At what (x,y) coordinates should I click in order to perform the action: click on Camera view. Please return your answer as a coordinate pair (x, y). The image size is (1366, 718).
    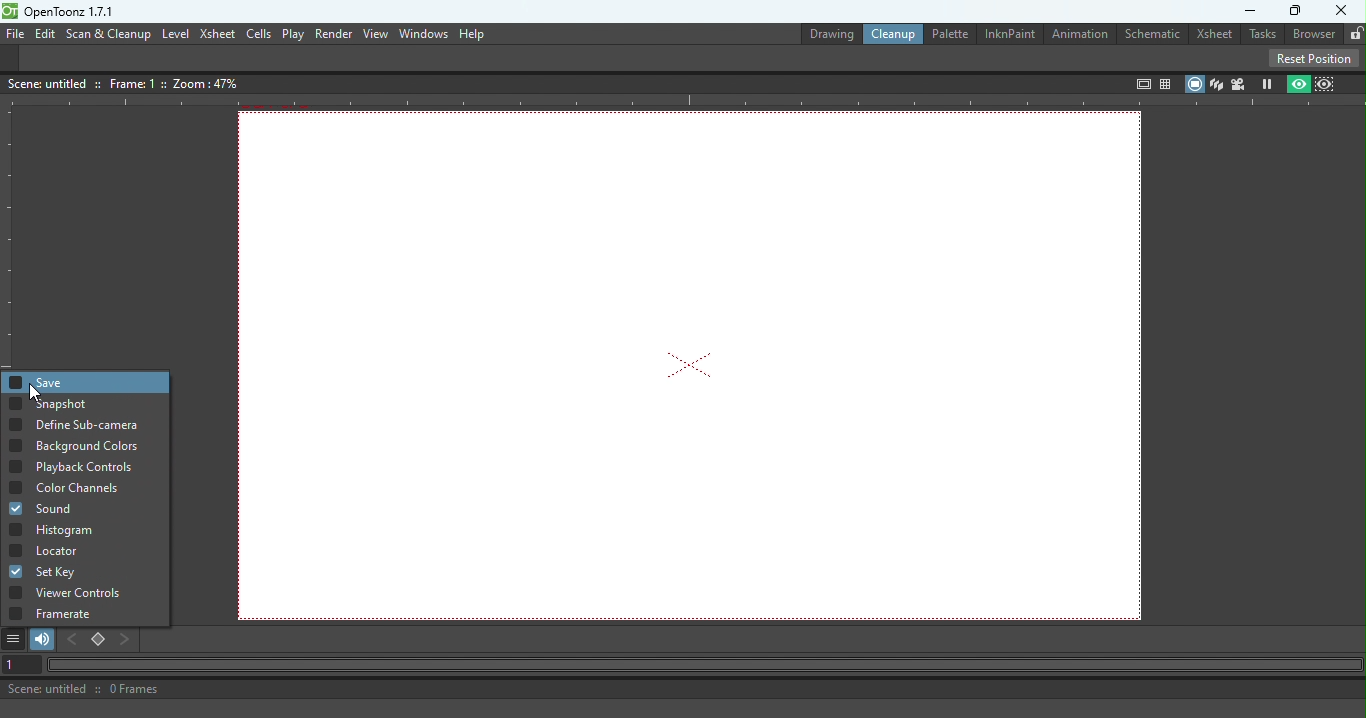
    Looking at the image, I should click on (1239, 84).